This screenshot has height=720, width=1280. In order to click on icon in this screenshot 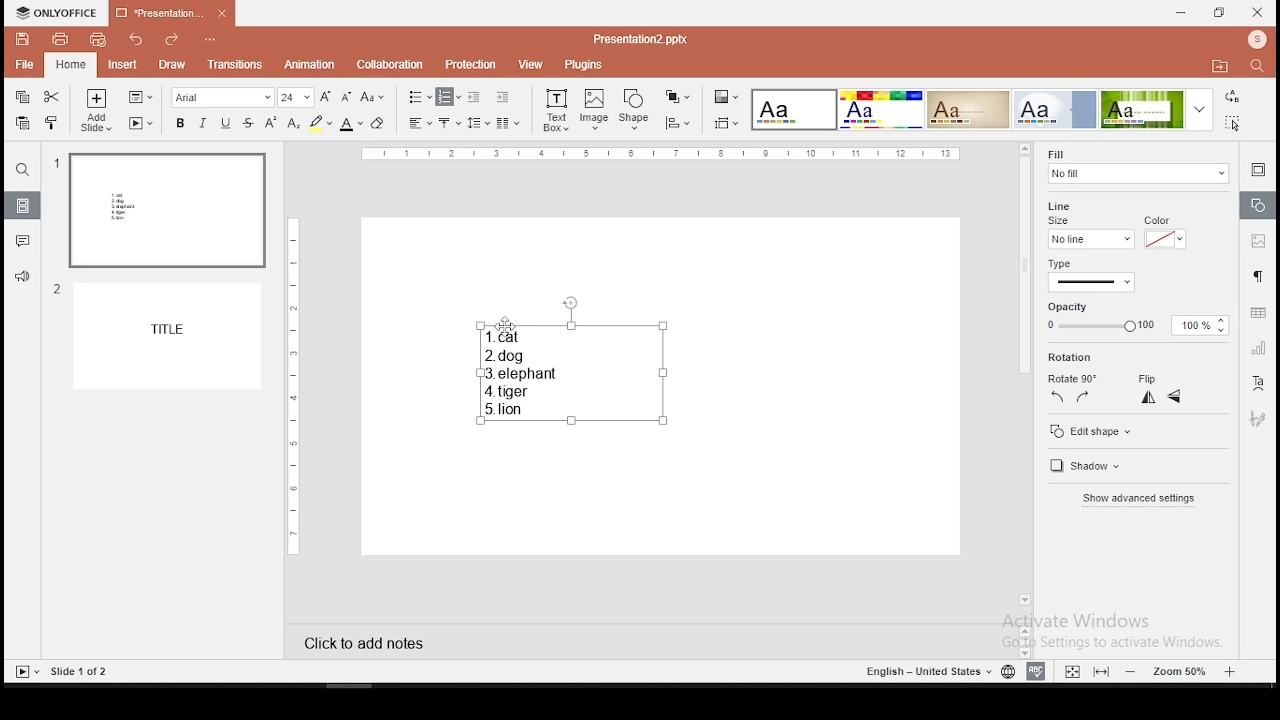, I will do `click(1256, 41)`.